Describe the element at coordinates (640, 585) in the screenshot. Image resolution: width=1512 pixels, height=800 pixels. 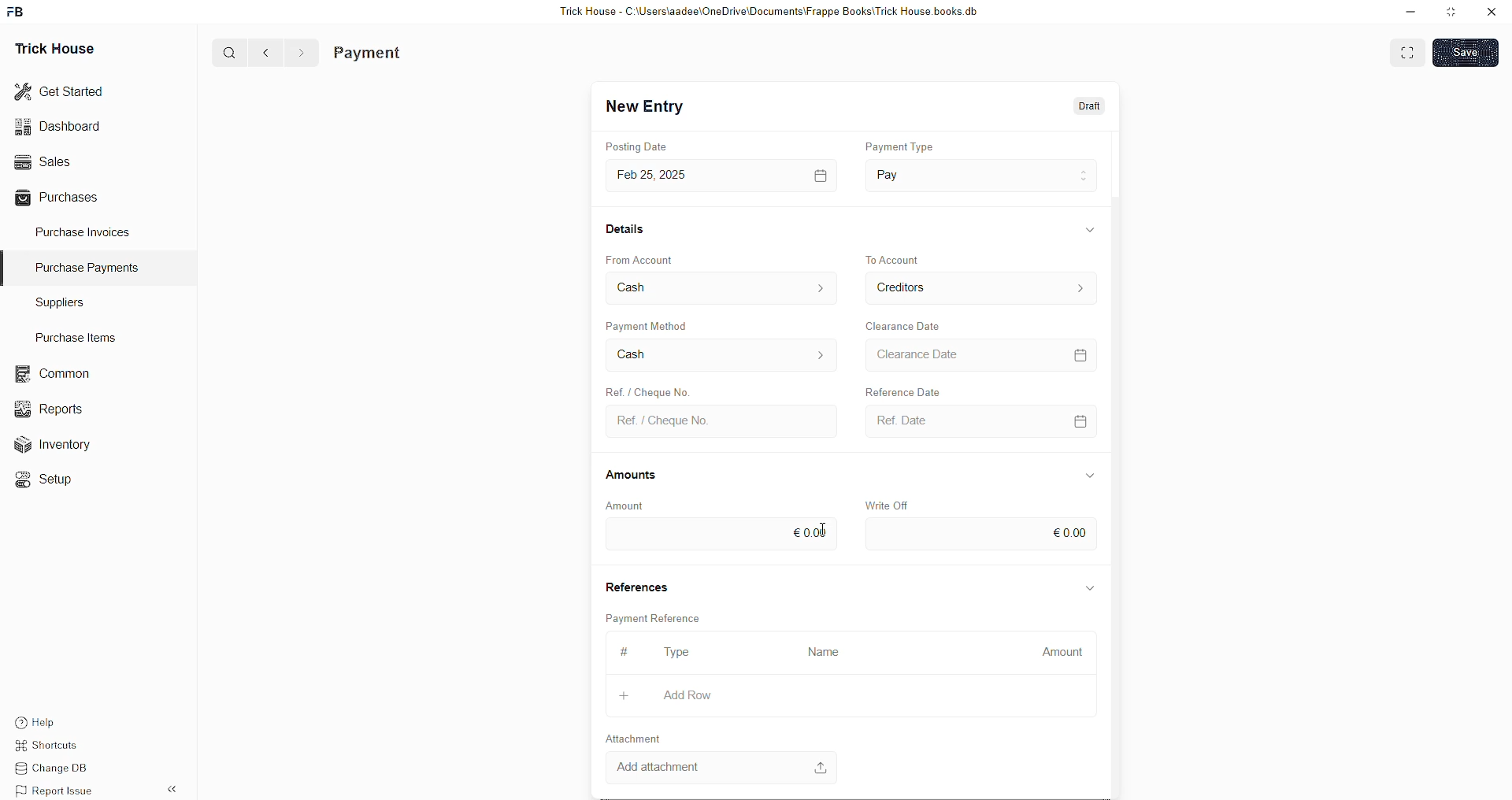
I see `References` at that location.